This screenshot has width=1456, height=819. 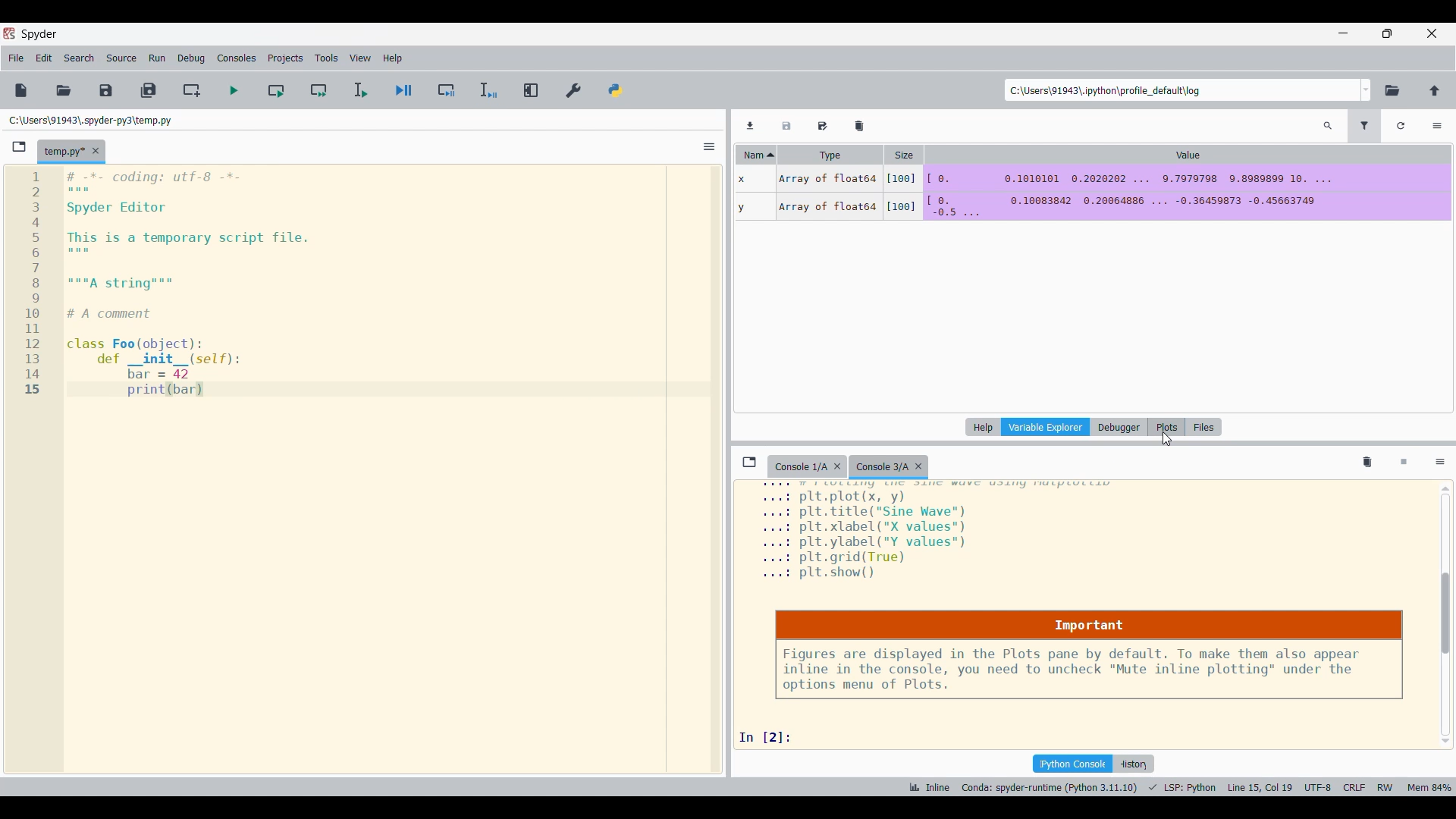 I want to click on Filter variables, so click(x=1364, y=127).